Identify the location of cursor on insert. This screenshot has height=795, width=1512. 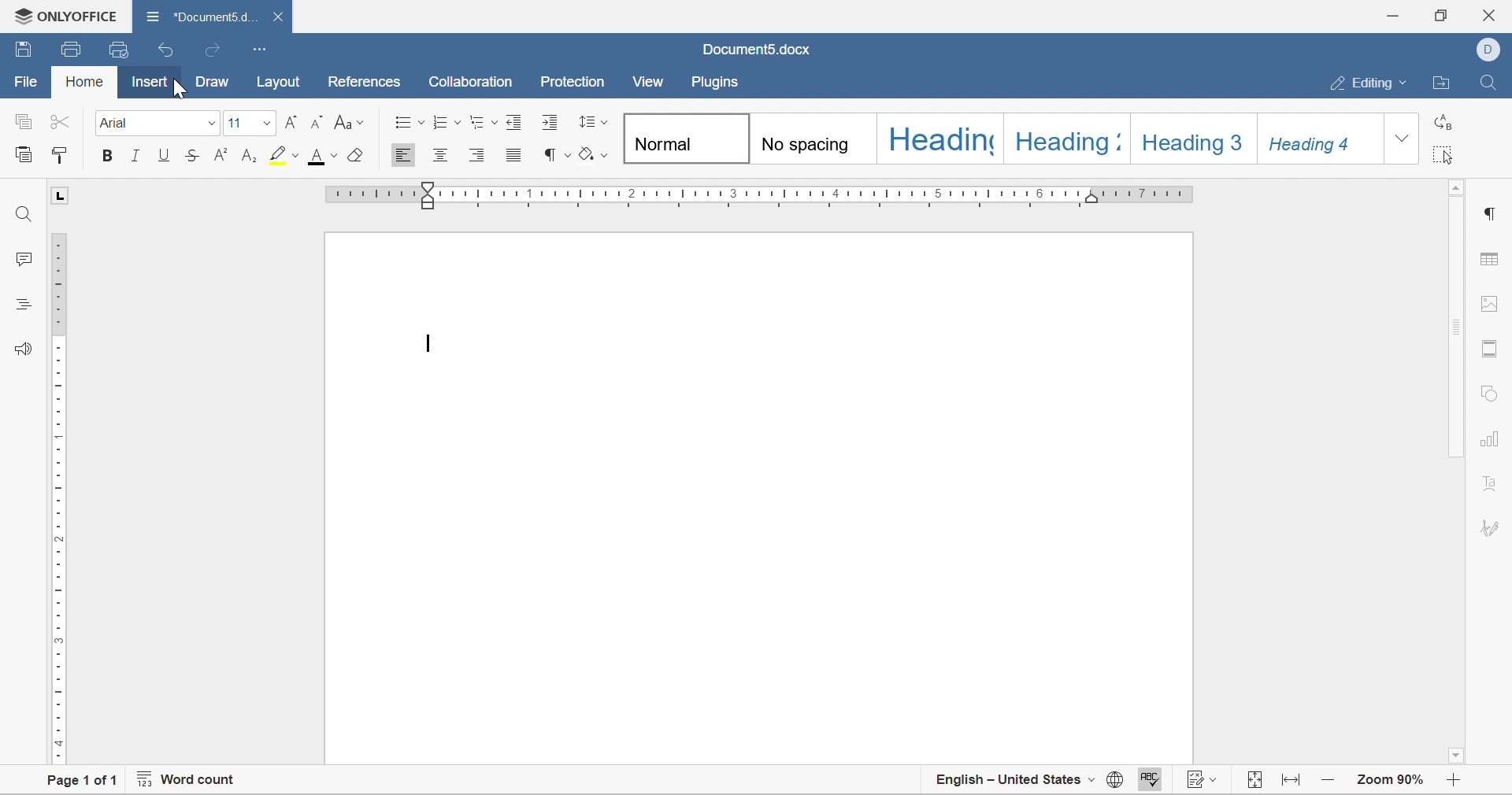
(179, 88).